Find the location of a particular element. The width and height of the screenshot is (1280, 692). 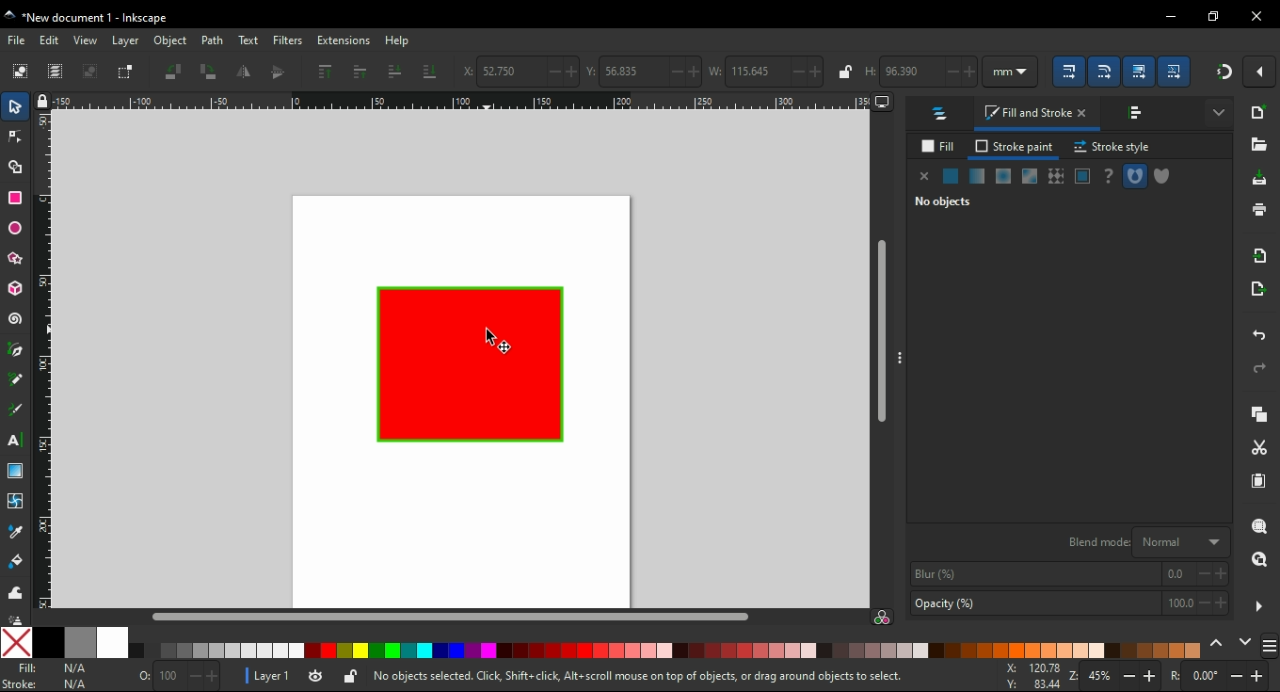

units is located at coordinates (1013, 71).